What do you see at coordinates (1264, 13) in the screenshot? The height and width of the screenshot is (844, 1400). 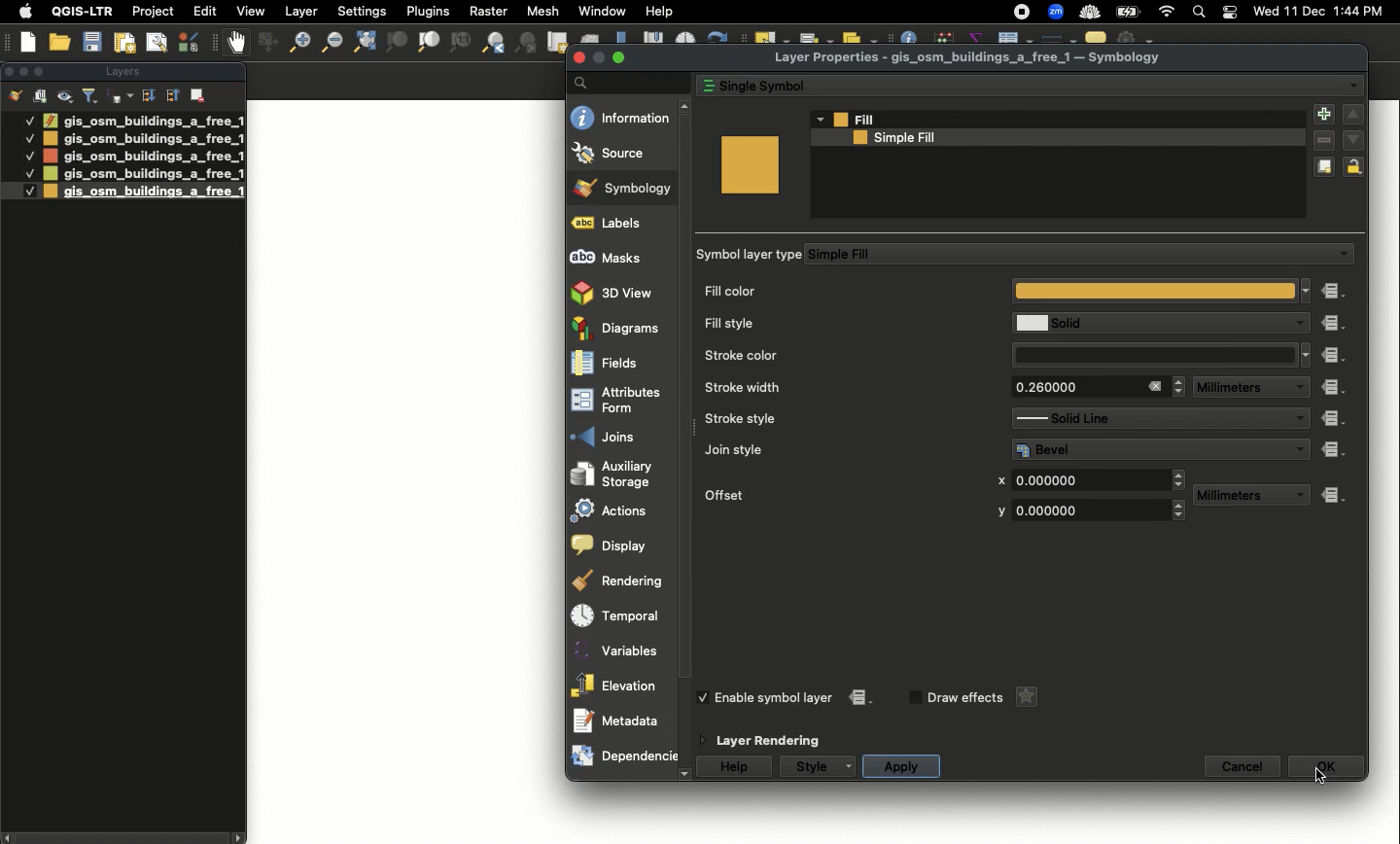 I see `wed` at bounding box center [1264, 13].